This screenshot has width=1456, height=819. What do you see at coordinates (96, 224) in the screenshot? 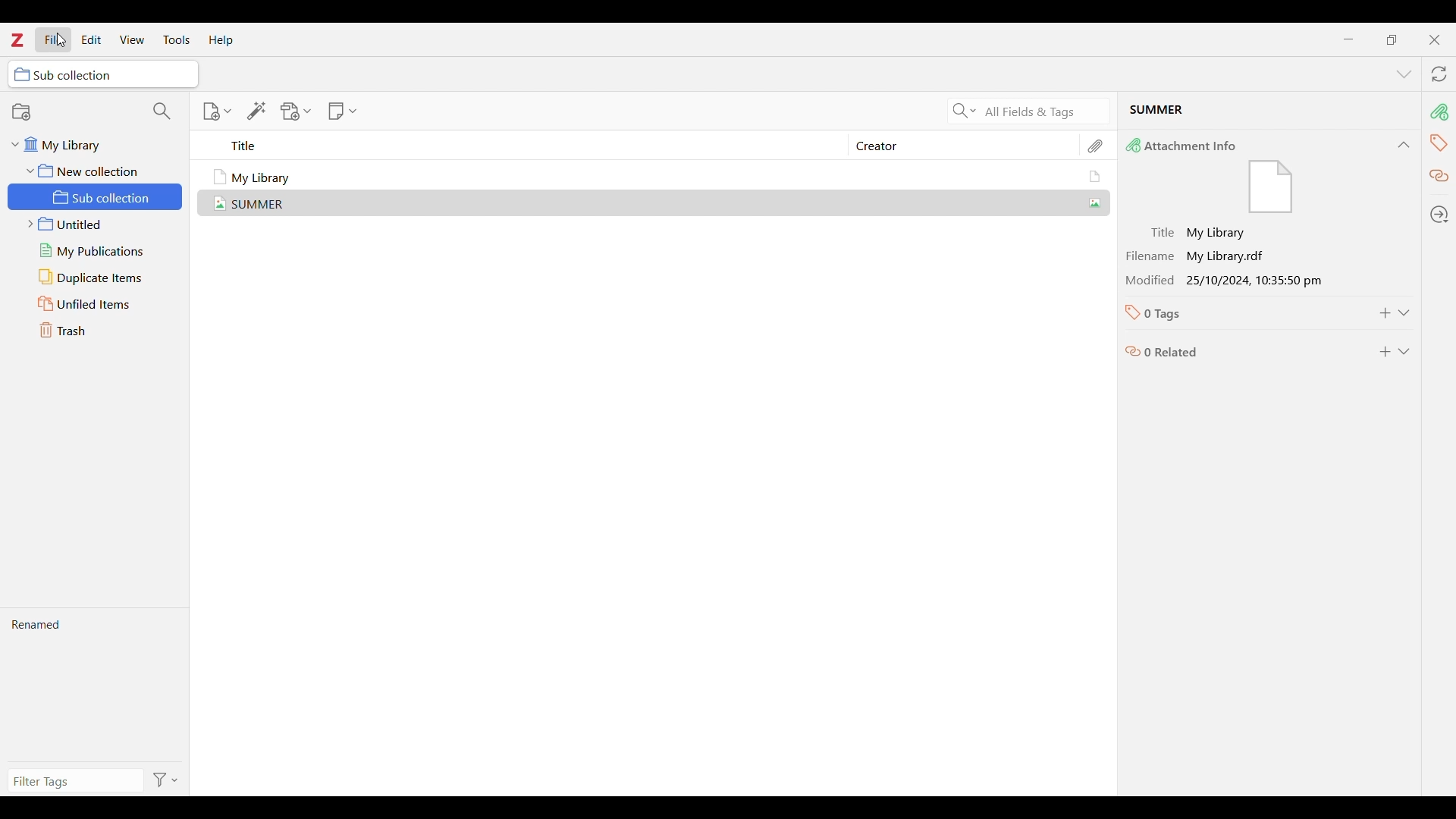
I see `Untitled` at bounding box center [96, 224].